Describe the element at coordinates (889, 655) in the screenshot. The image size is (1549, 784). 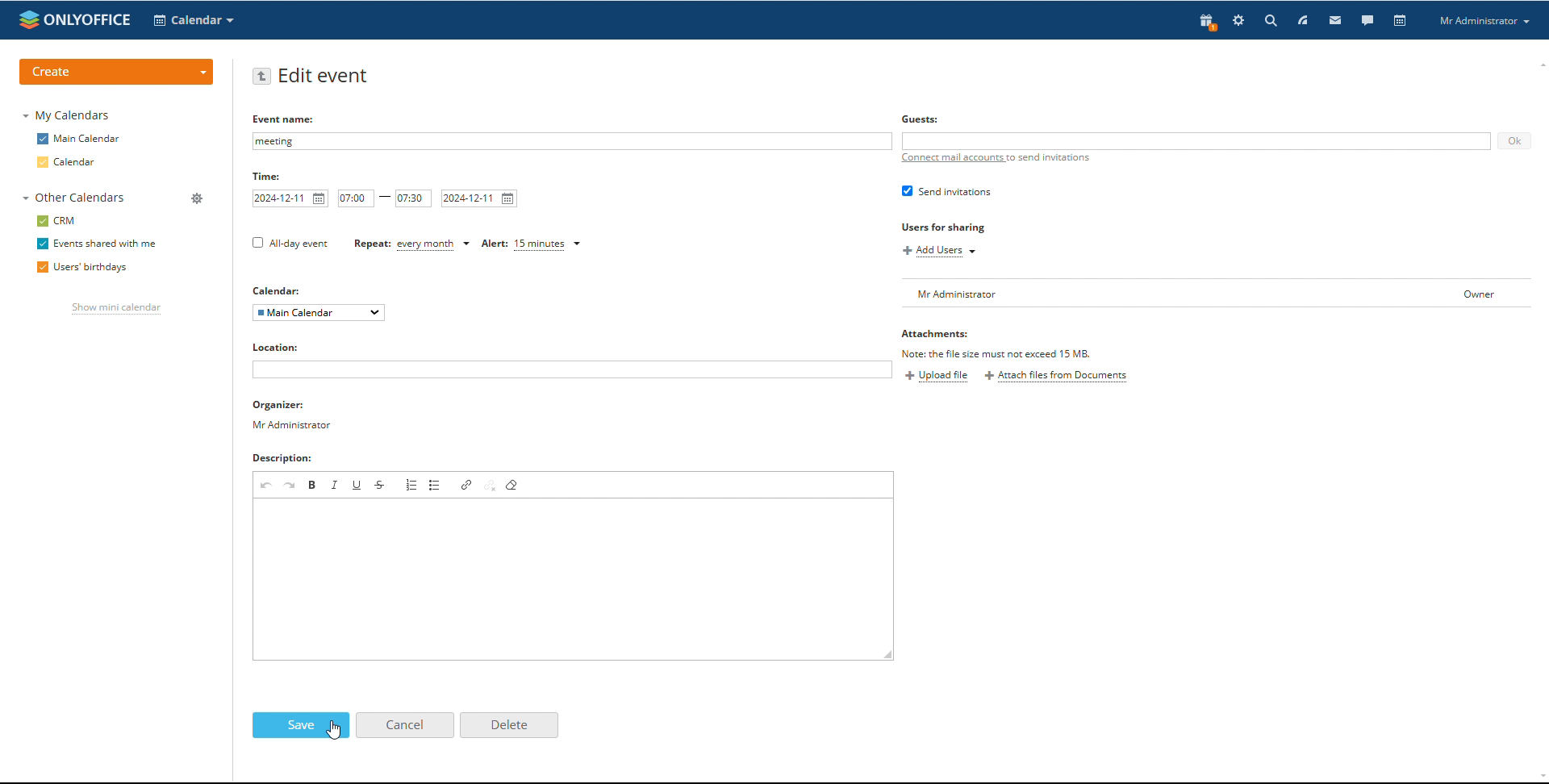
I see `resize` at that location.